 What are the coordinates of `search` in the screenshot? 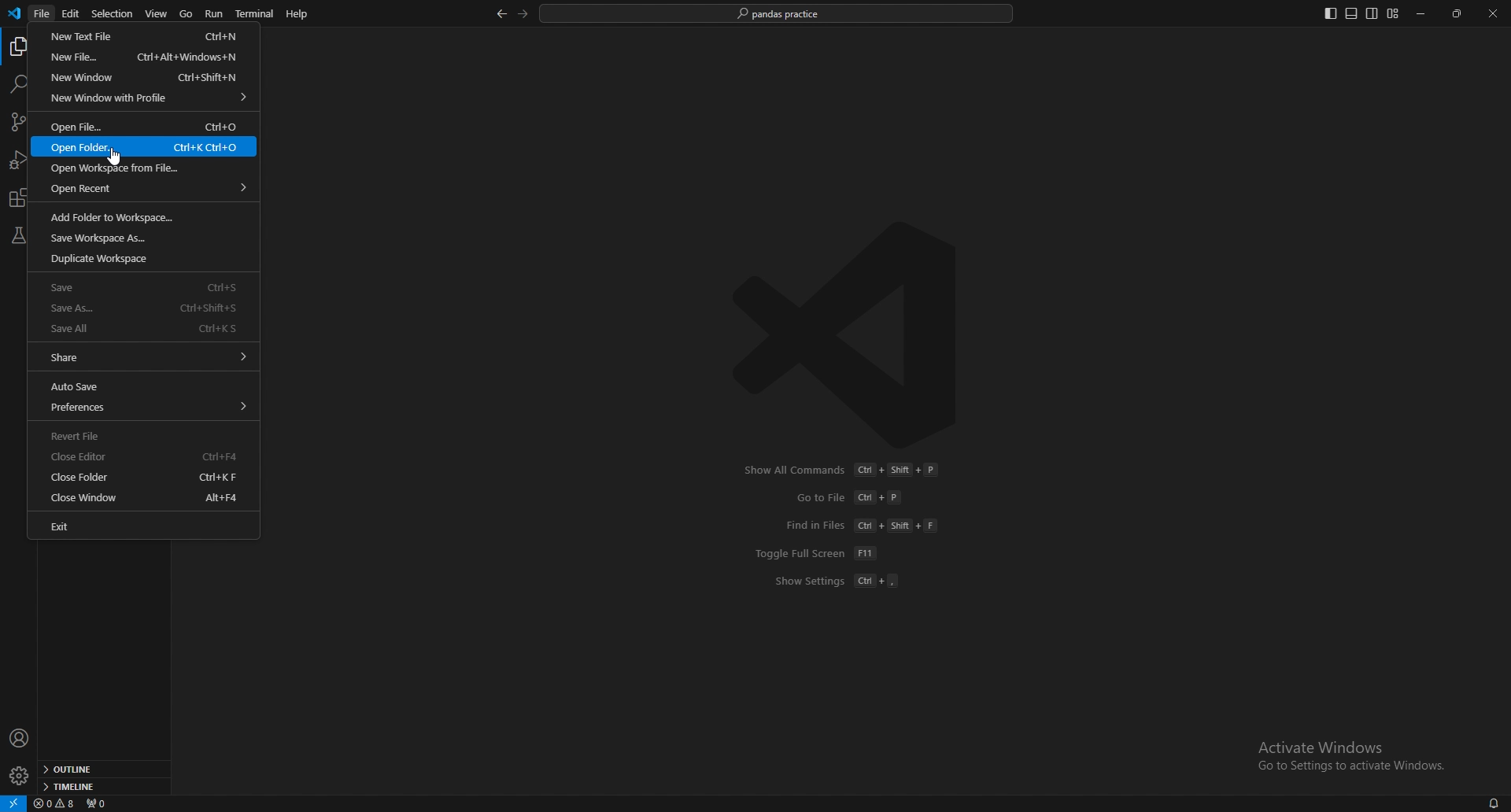 It's located at (17, 84).